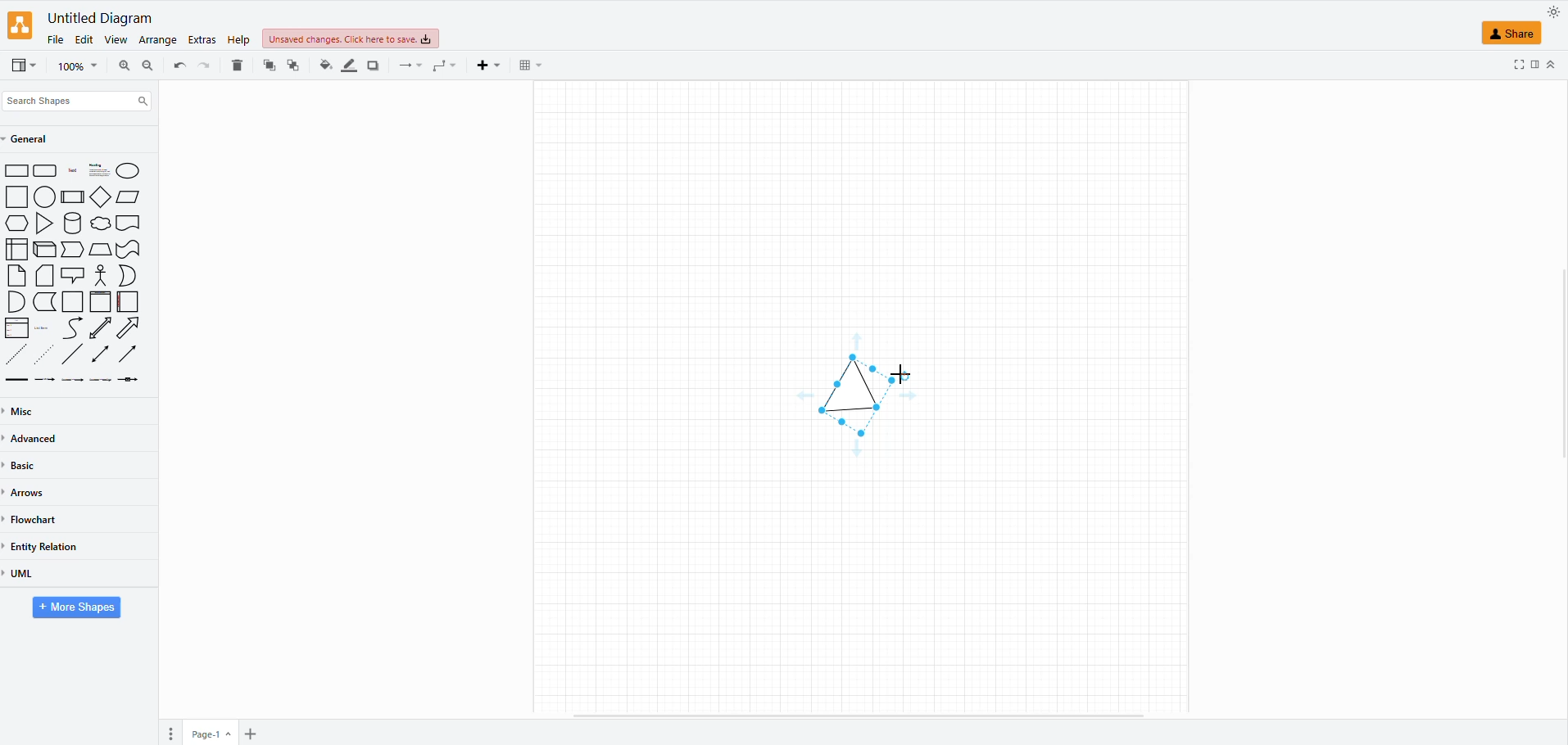 The image size is (1568, 745). What do you see at coordinates (17, 276) in the screenshot?
I see `File Icon` at bounding box center [17, 276].